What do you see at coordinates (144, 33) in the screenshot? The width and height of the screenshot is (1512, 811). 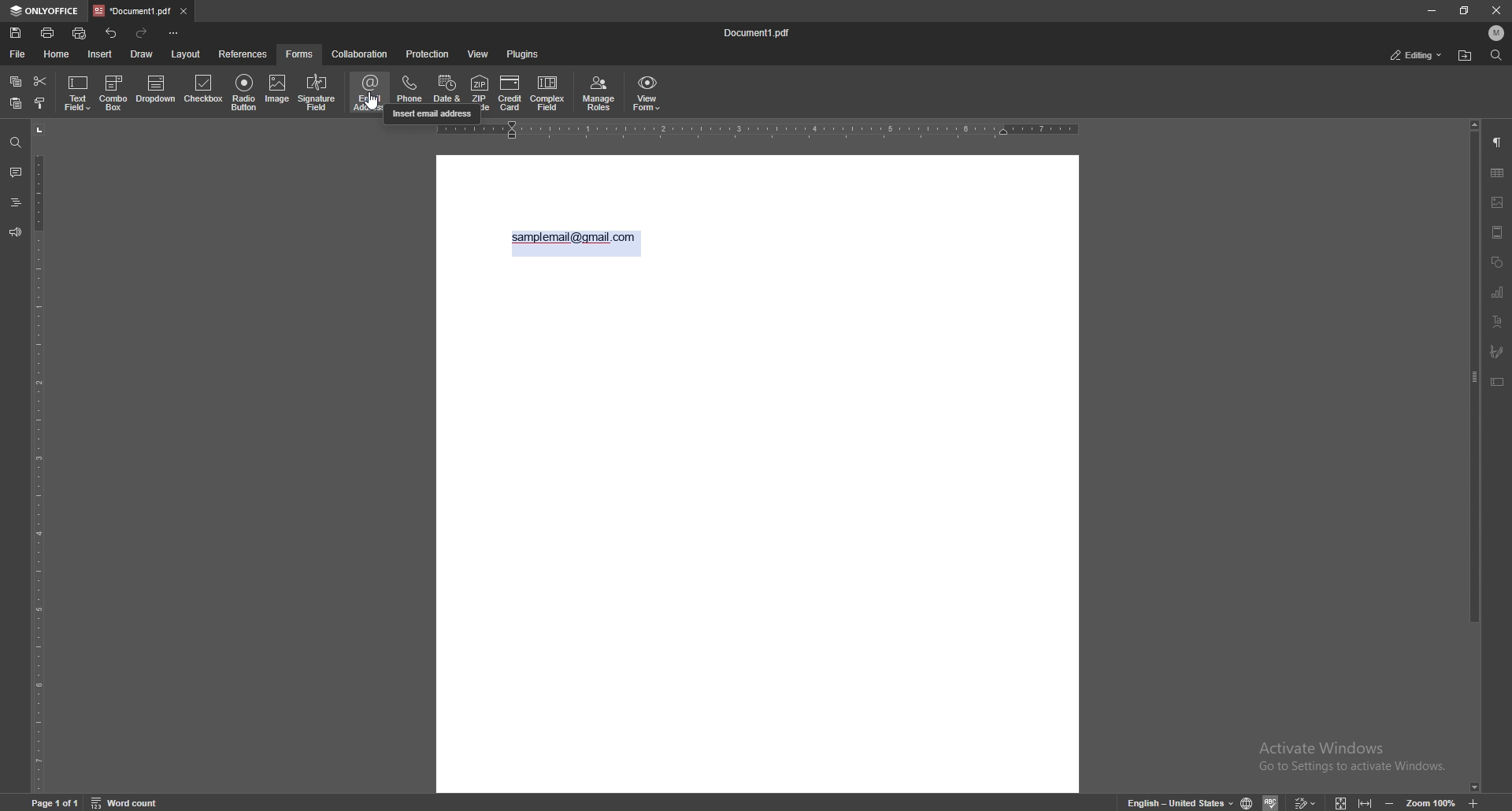 I see `redo` at bounding box center [144, 33].